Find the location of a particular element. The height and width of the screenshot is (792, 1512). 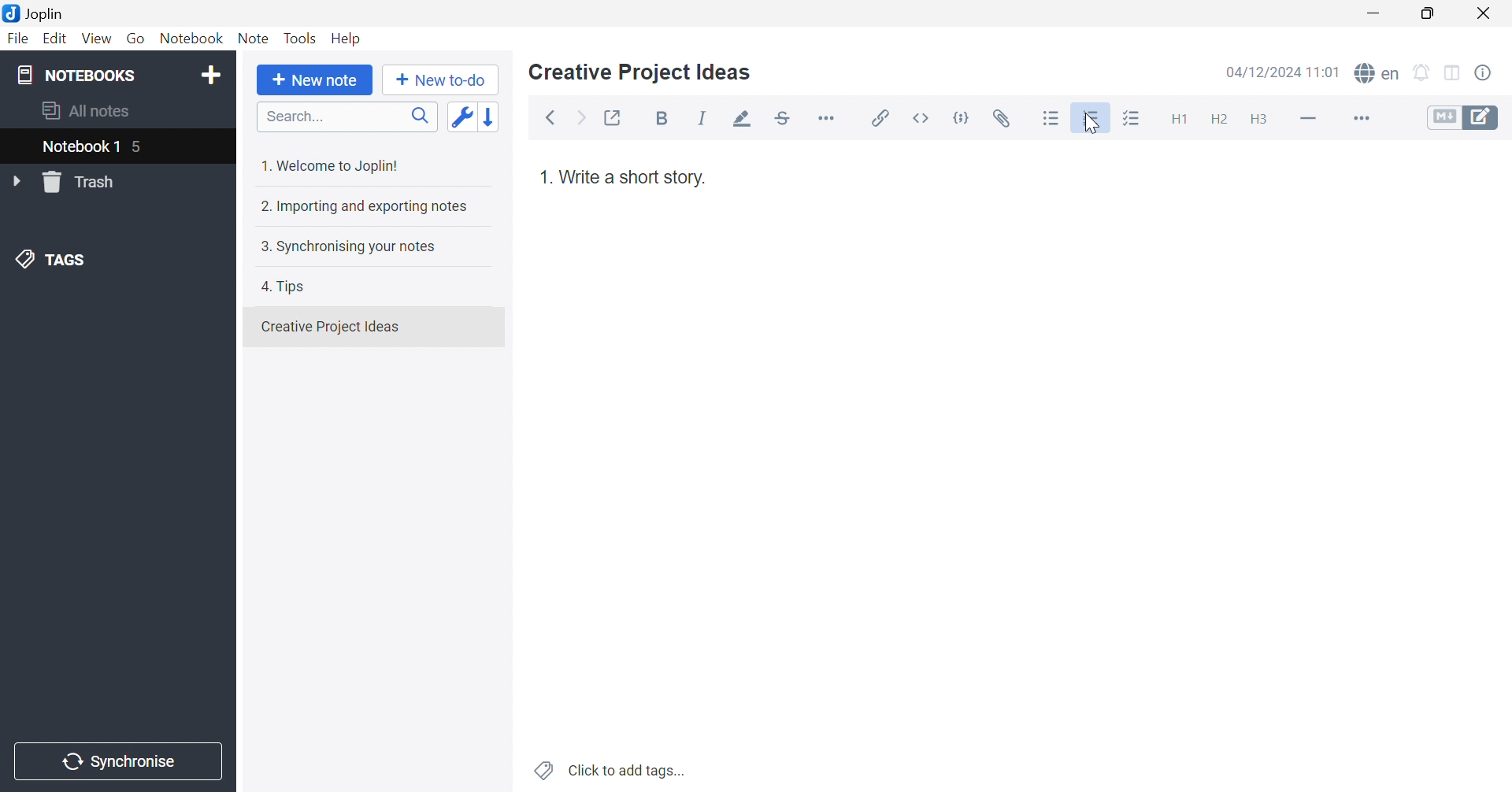

Bulleted list is located at coordinates (1051, 119).